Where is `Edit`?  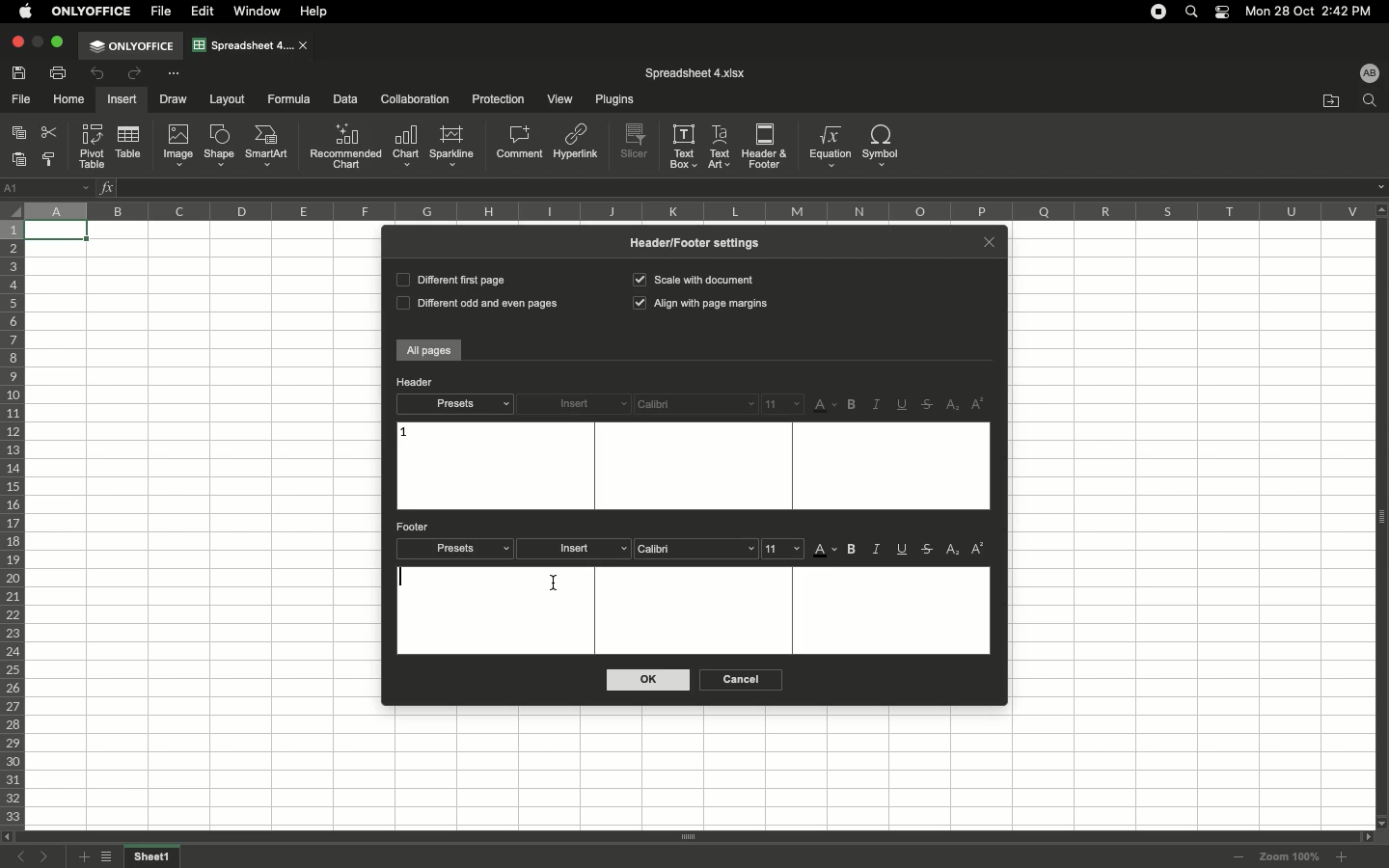
Edit is located at coordinates (204, 12).